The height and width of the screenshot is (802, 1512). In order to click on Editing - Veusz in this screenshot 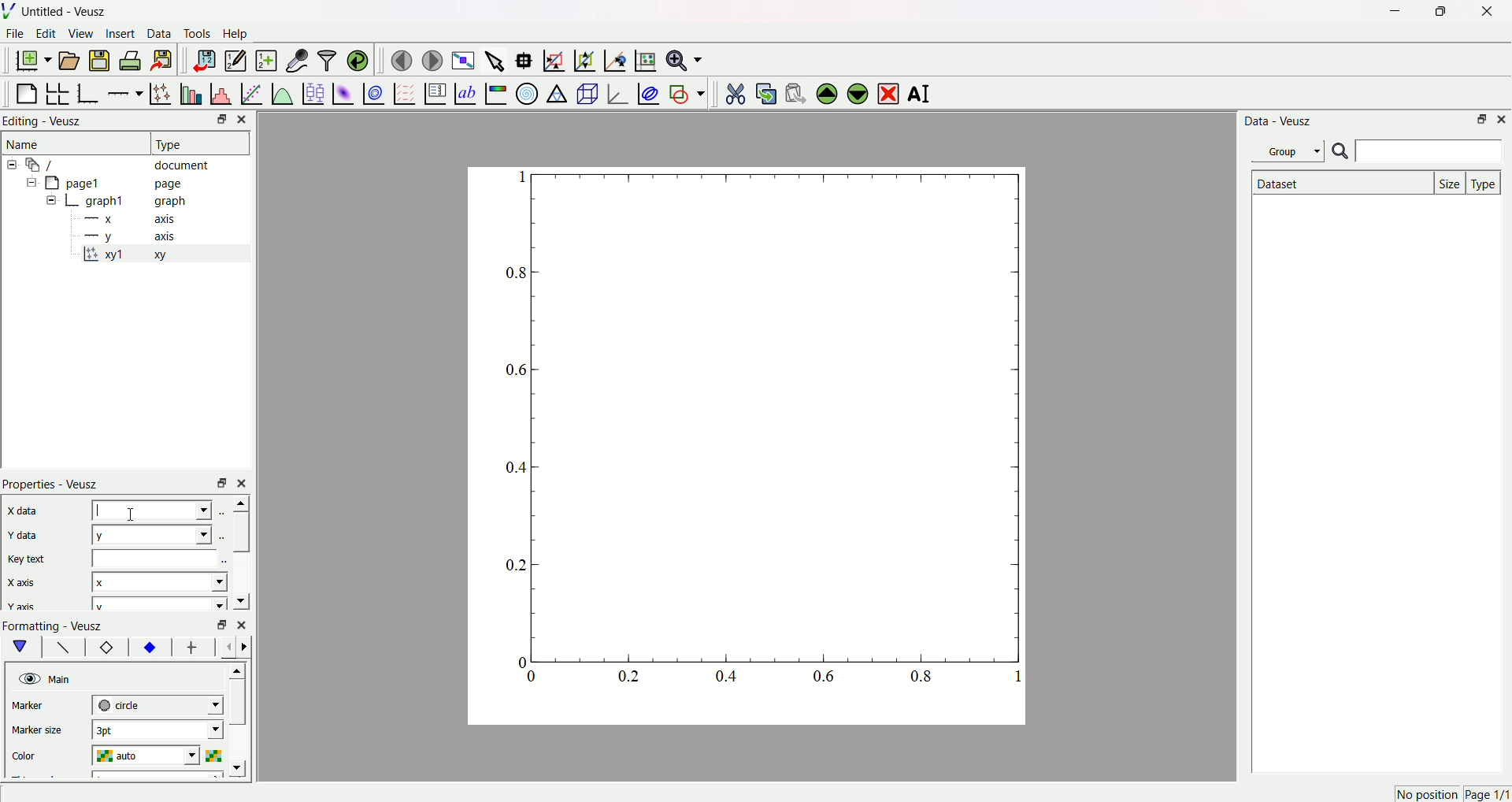, I will do `click(46, 122)`.